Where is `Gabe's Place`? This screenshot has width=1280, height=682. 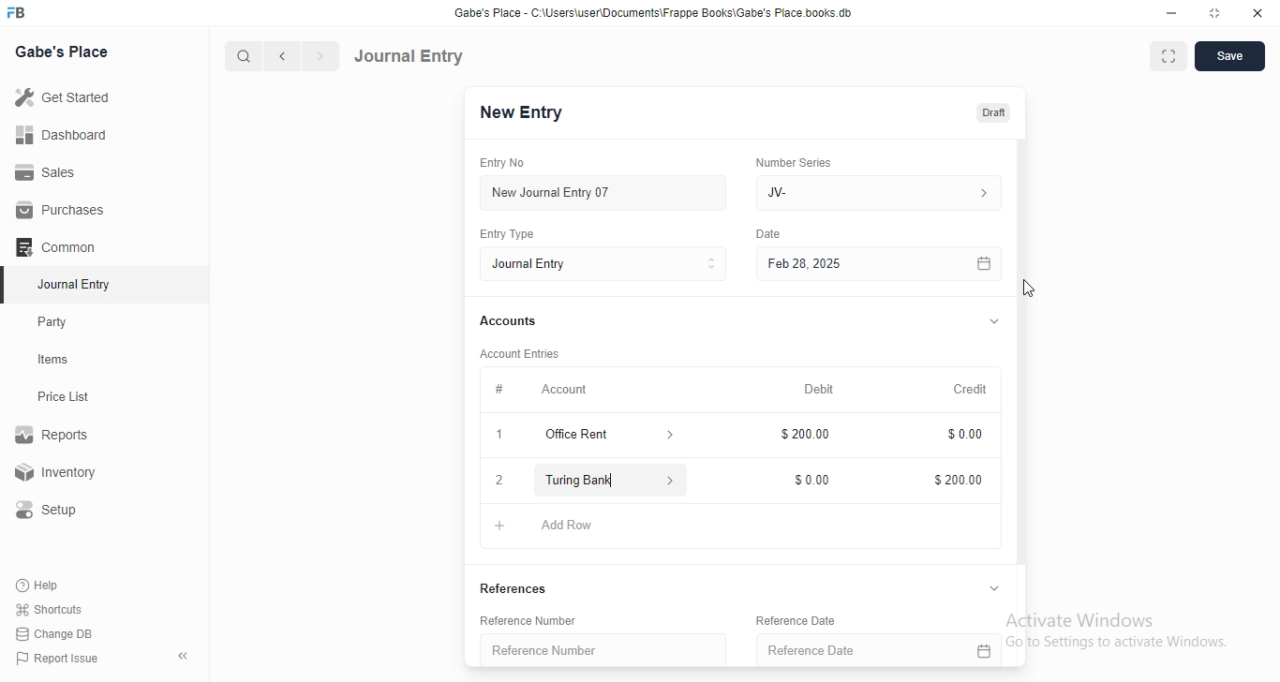 Gabe's Place is located at coordinates (64, 51).